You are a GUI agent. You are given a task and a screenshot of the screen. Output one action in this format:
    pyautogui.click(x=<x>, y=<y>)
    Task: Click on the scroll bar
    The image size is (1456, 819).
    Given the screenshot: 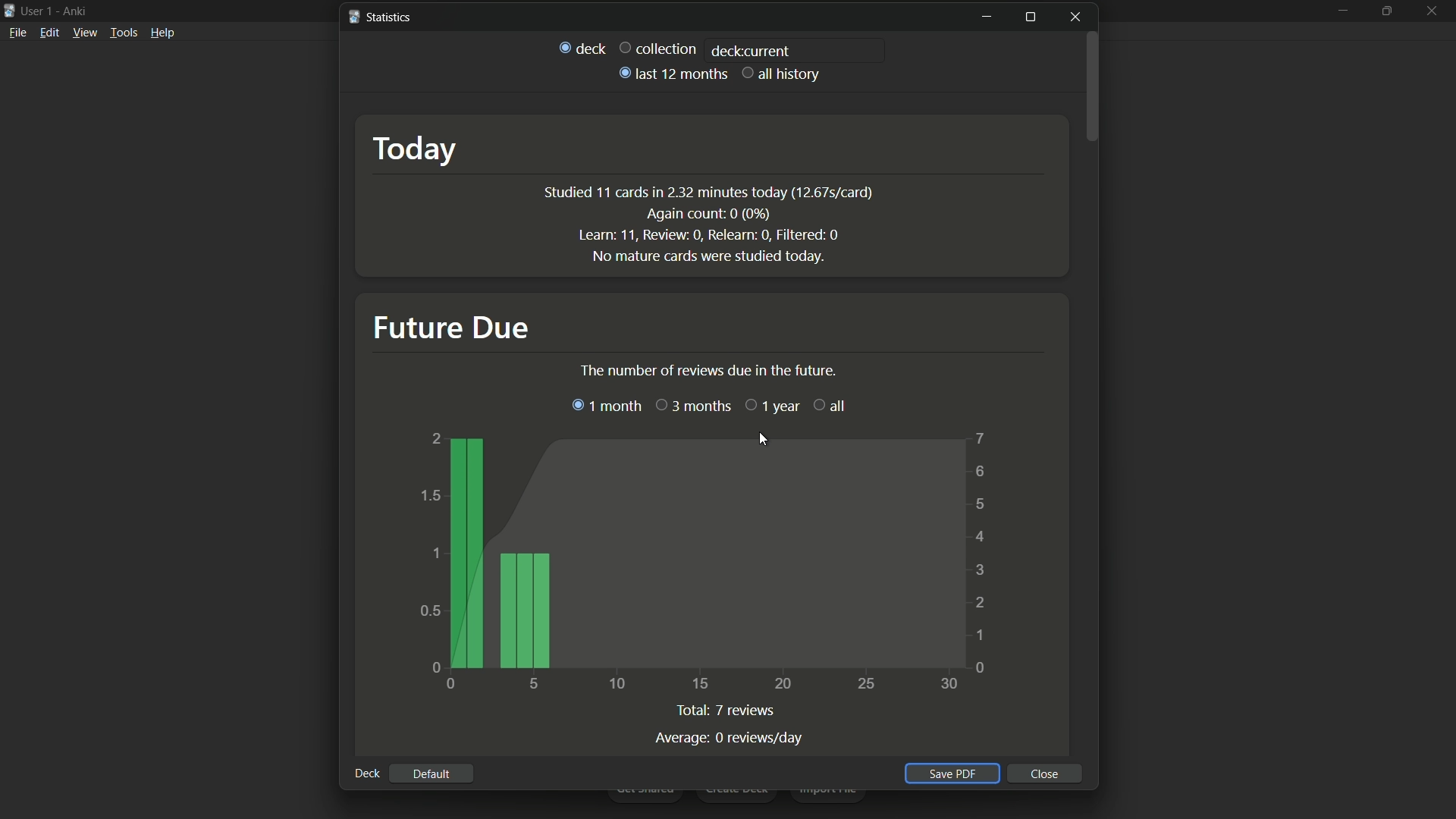 What is the action you would take?
    pyautogui.click(x=1093, y=87)
    